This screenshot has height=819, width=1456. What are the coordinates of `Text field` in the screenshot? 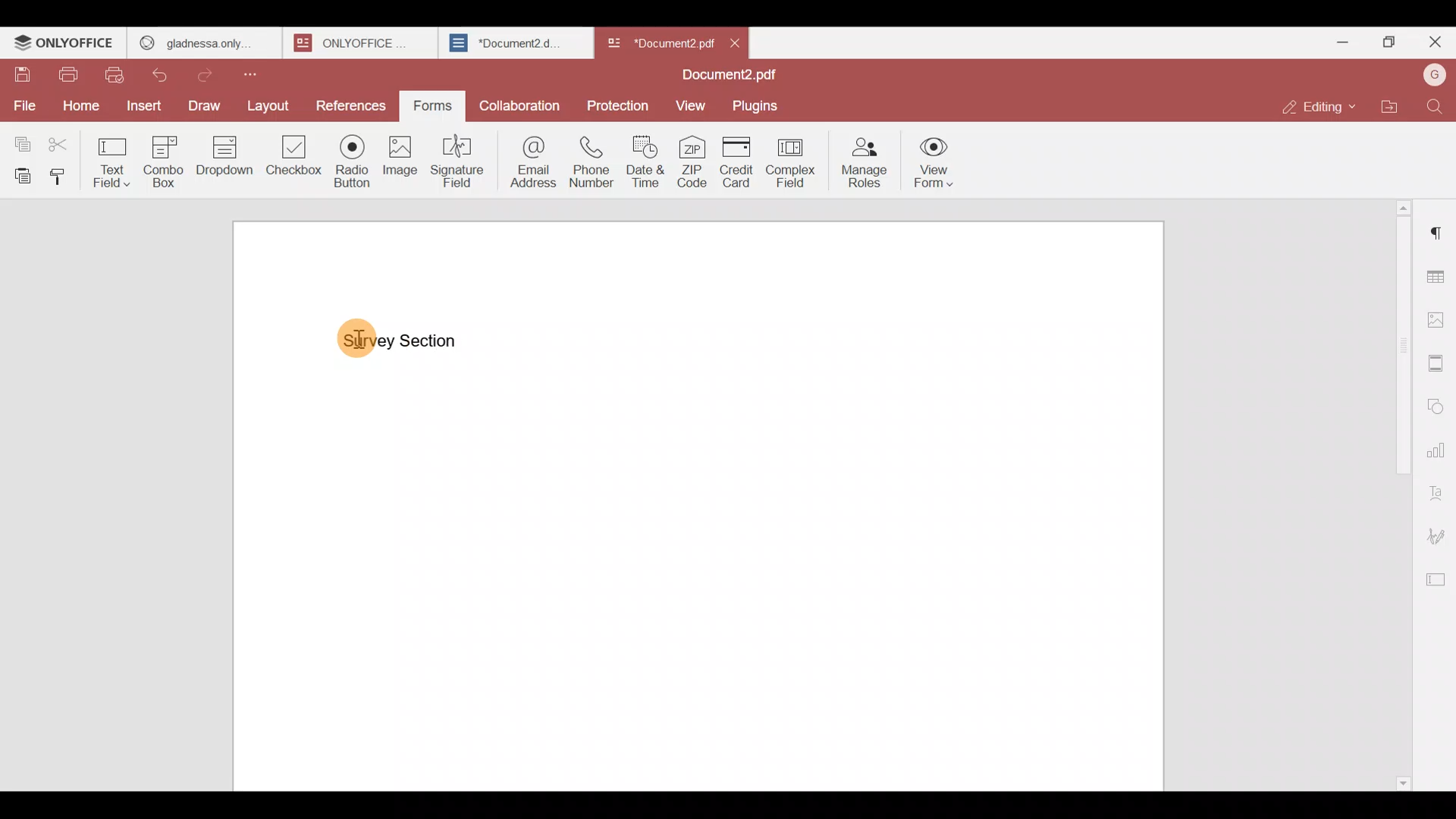 It's located at (110, 158).